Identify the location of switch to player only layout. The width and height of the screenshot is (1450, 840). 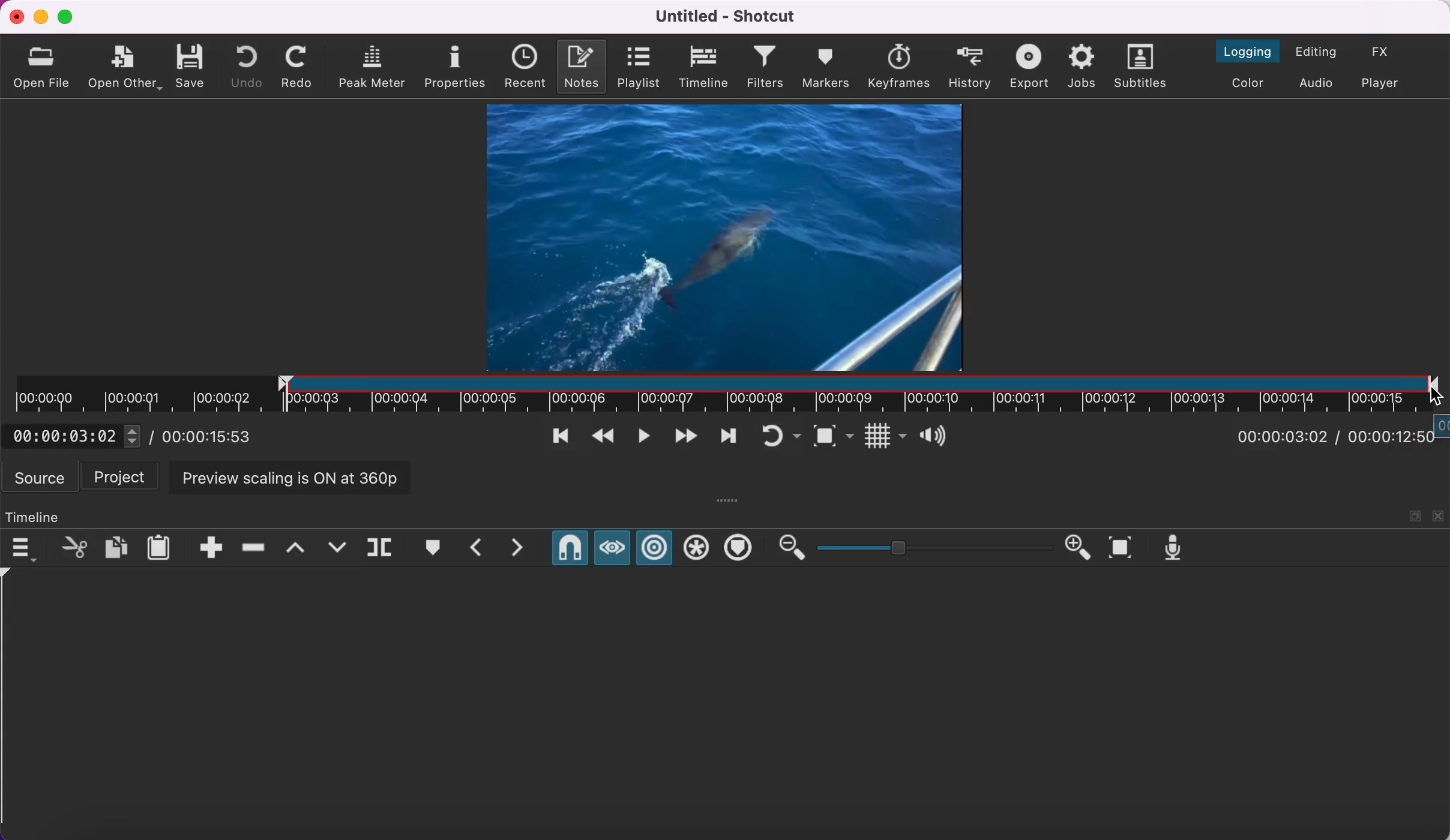
(1386, 85).